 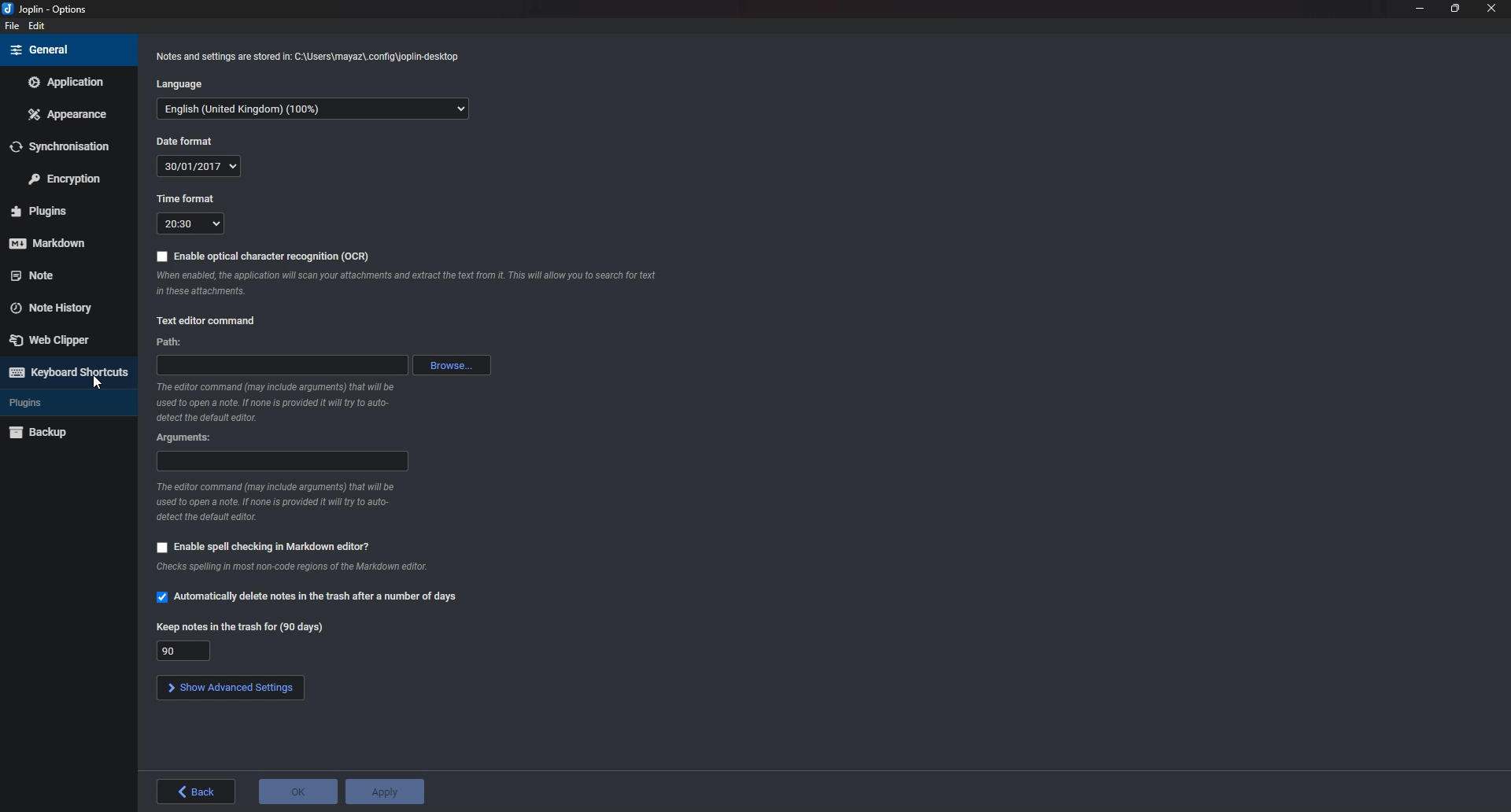 What do you see at coordinates (197, 791) in the screenshot?
I see `back` at bounding box center [197, 791].